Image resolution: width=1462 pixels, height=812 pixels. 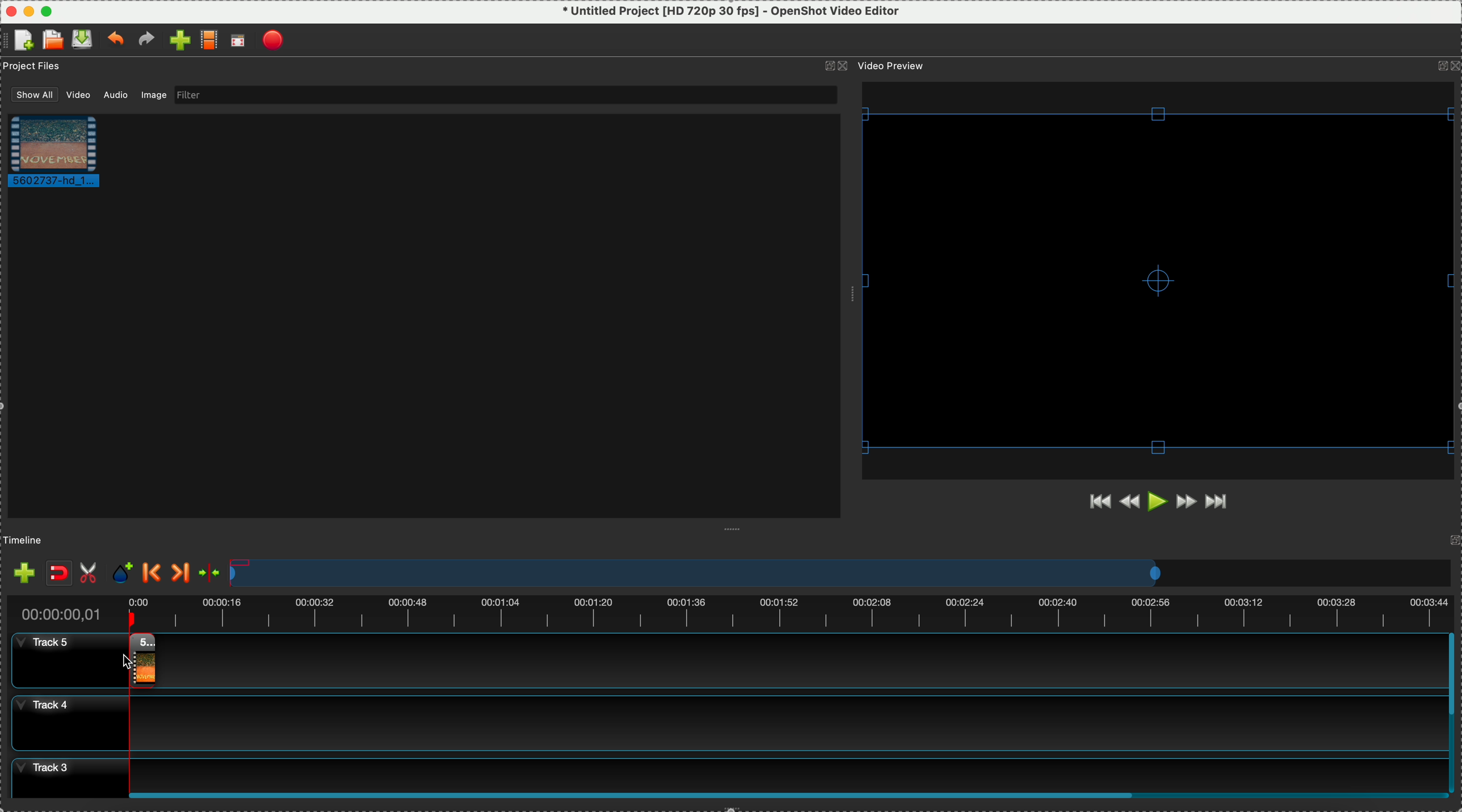 I want to click on video, so click(x=77, y=95).